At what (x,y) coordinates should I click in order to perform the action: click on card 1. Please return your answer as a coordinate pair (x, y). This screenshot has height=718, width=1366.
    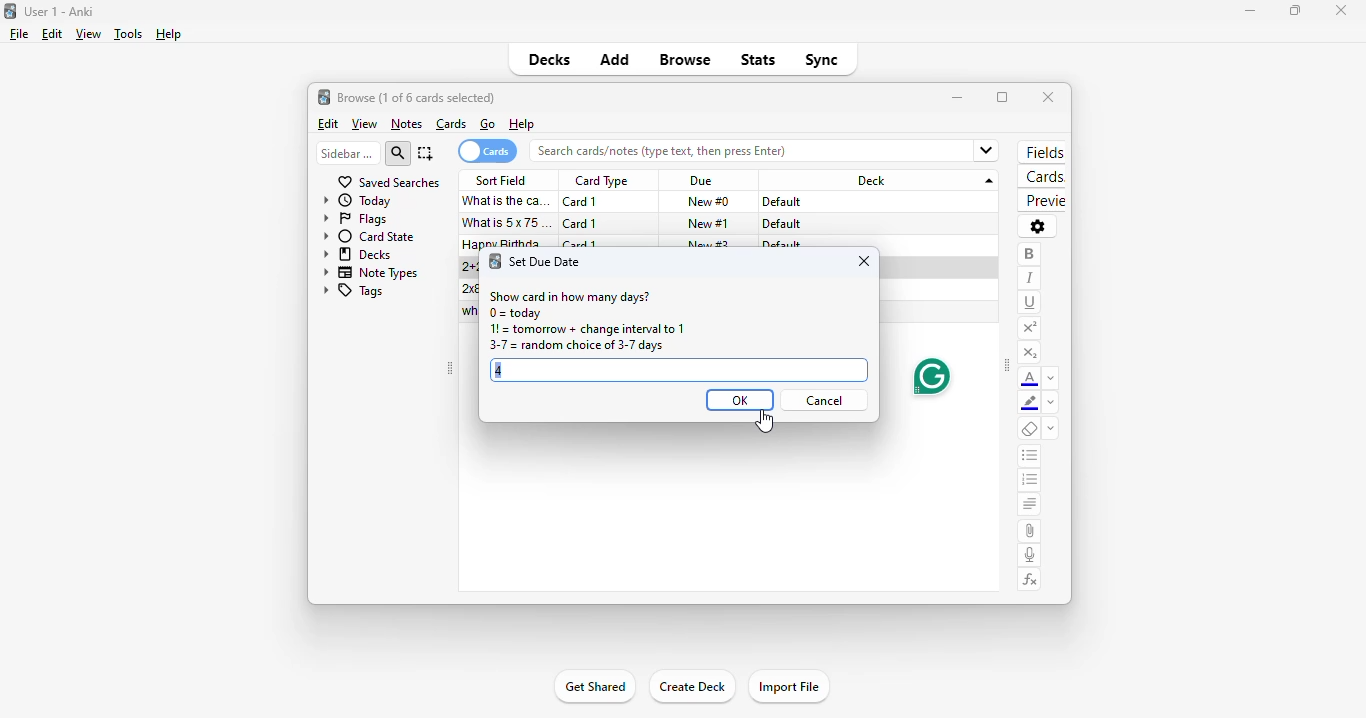
    Looking at the image, I should click on (581, 224).